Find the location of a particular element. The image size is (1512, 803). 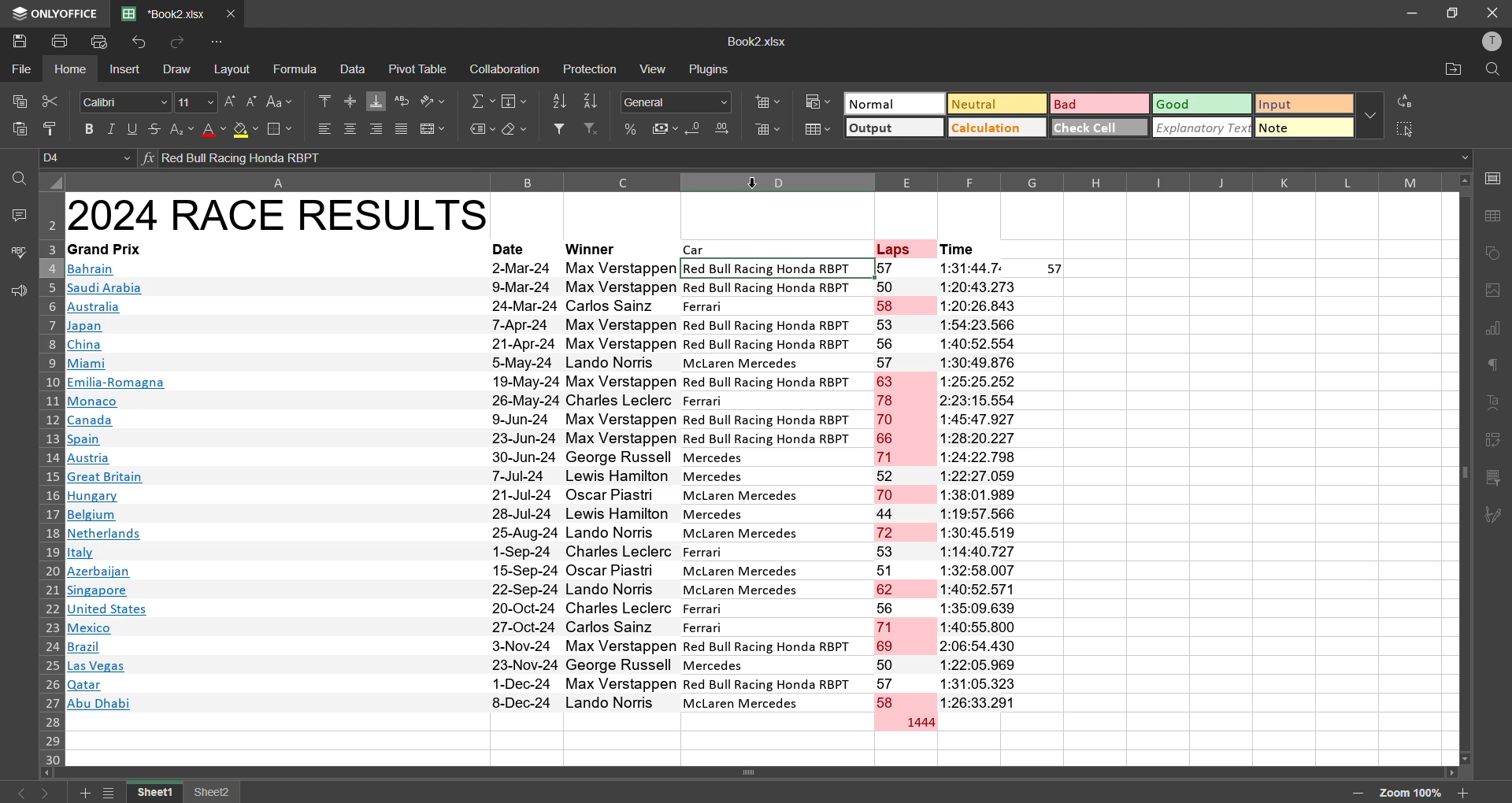

winner is located at coordinates (594, 248).